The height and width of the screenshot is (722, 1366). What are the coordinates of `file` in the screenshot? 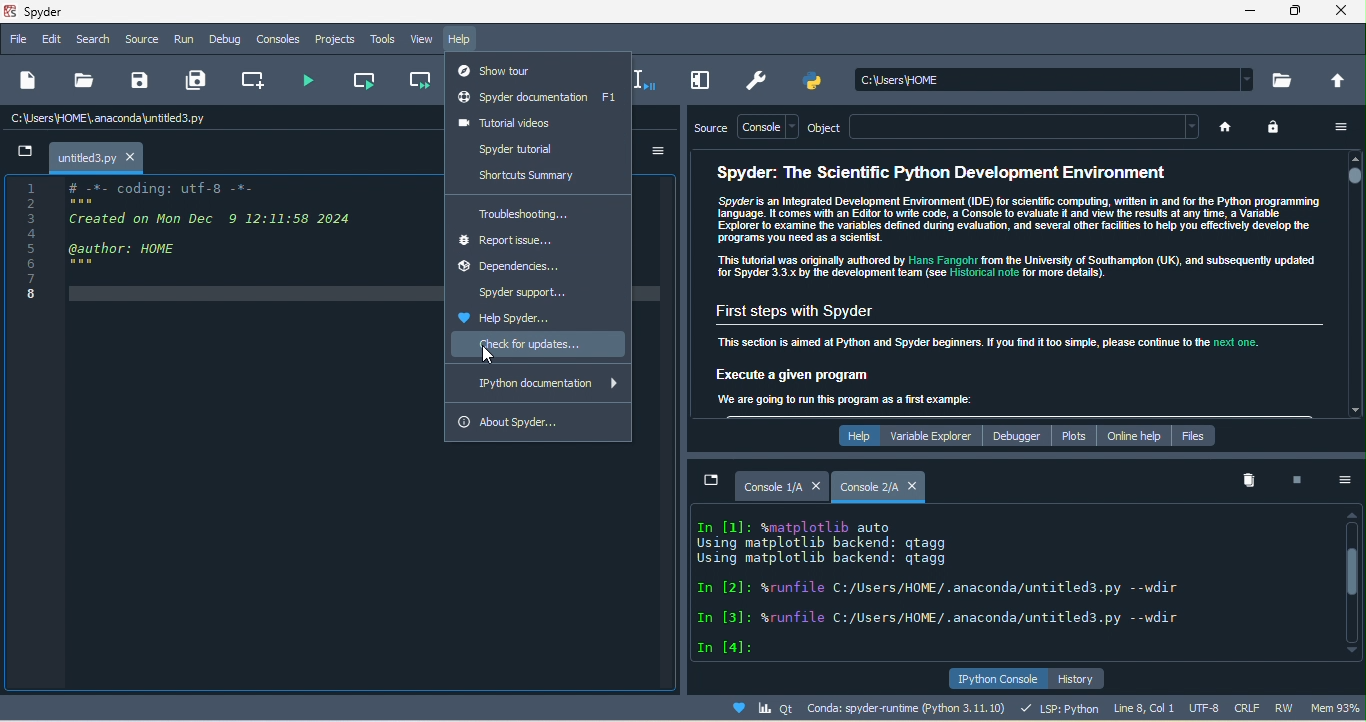 It's located at (18, 41).